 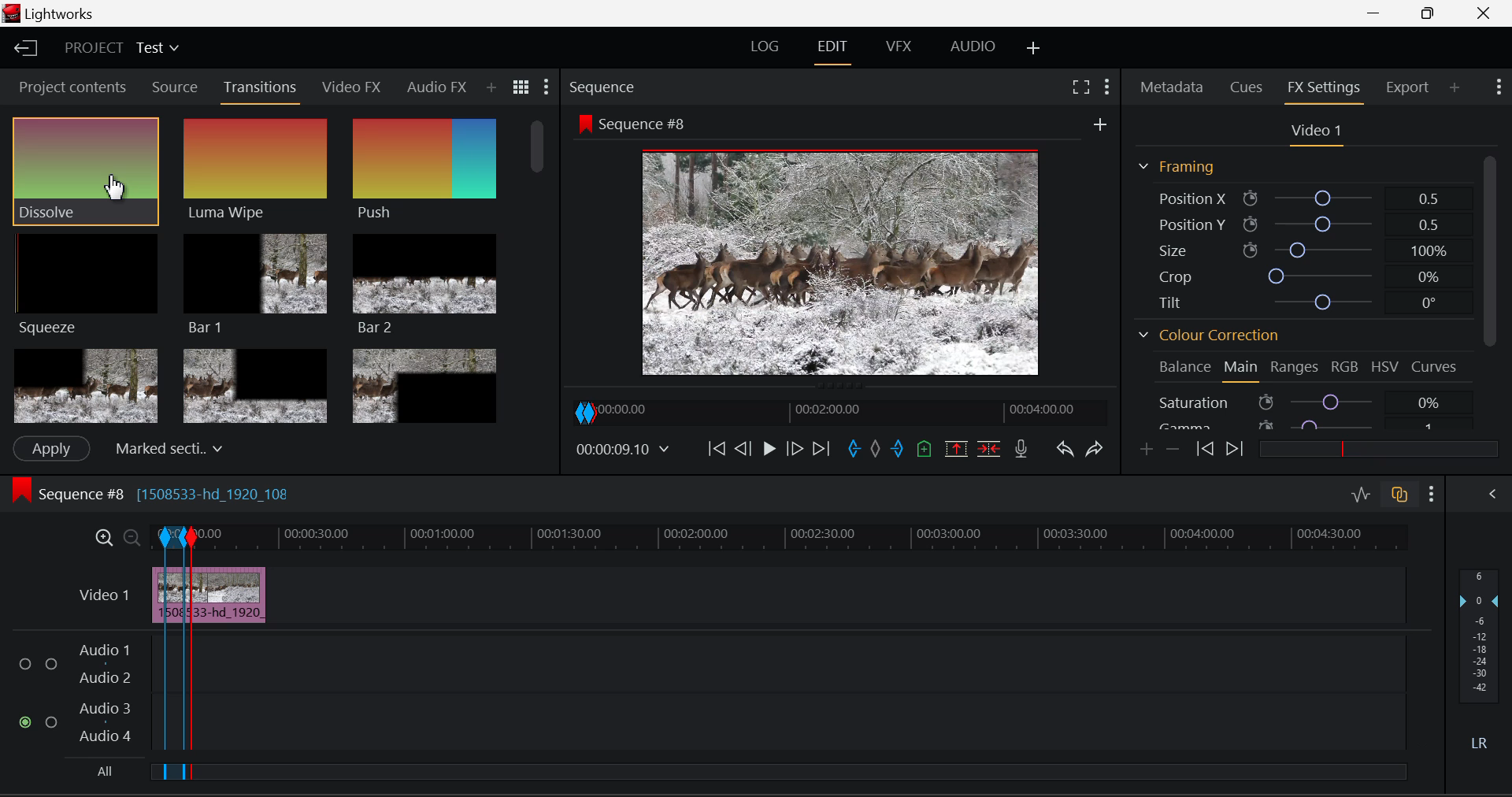 What do you see at coordinates (1242, 369) in the screenshot?
I see `Main` at bounding box center [1242, 369].